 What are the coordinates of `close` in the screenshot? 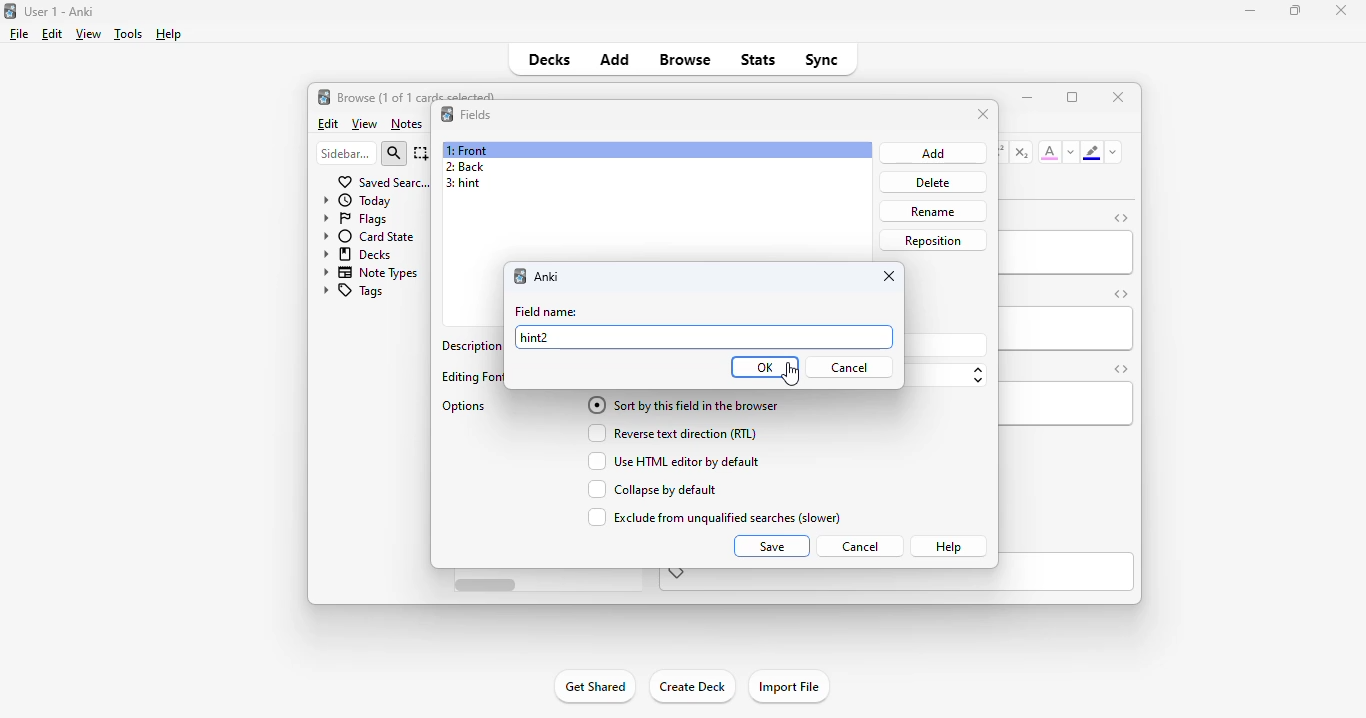 It's located at (1341, 10).